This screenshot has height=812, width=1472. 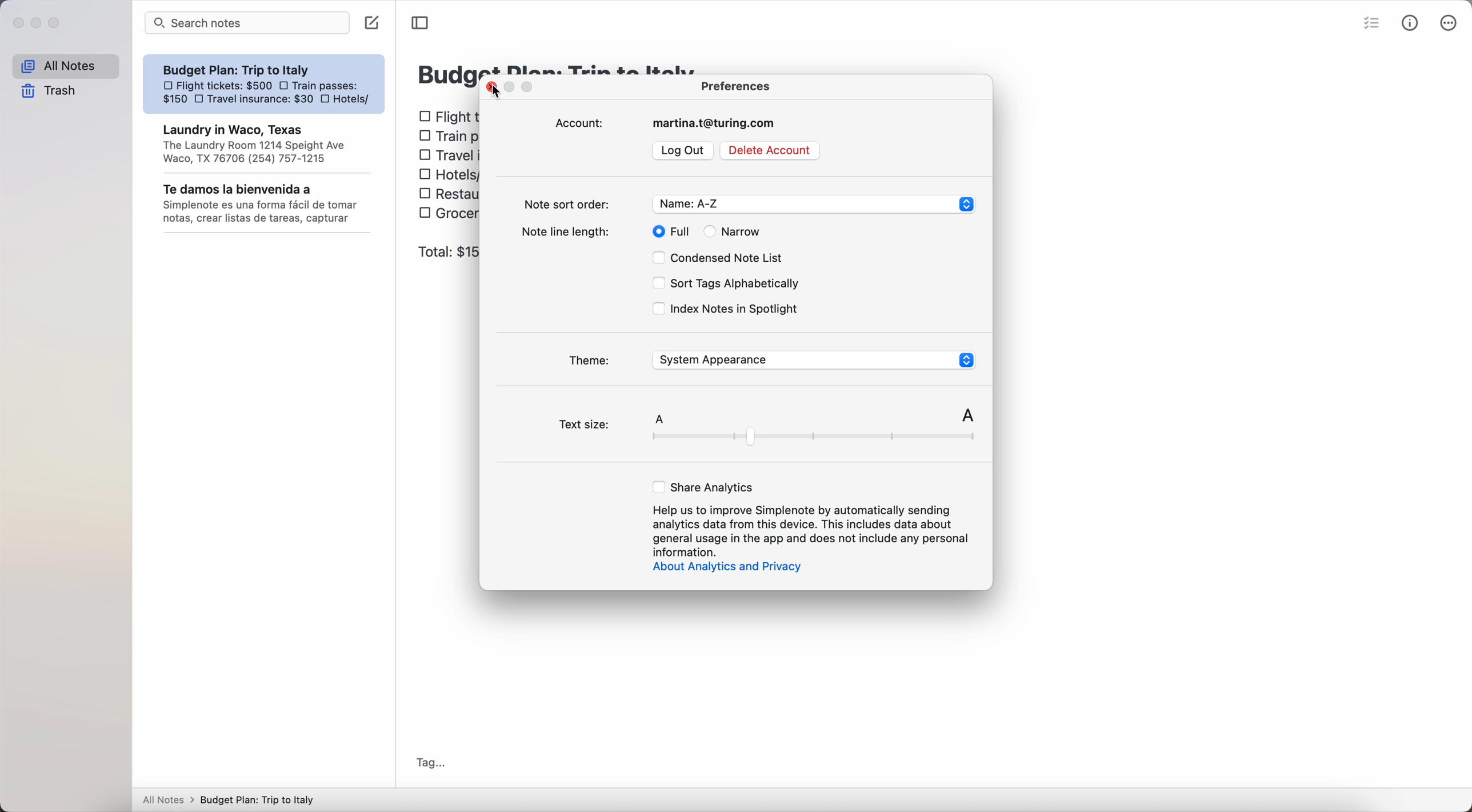 I want to click on disable maximize popup, so click(x=531, y=88).